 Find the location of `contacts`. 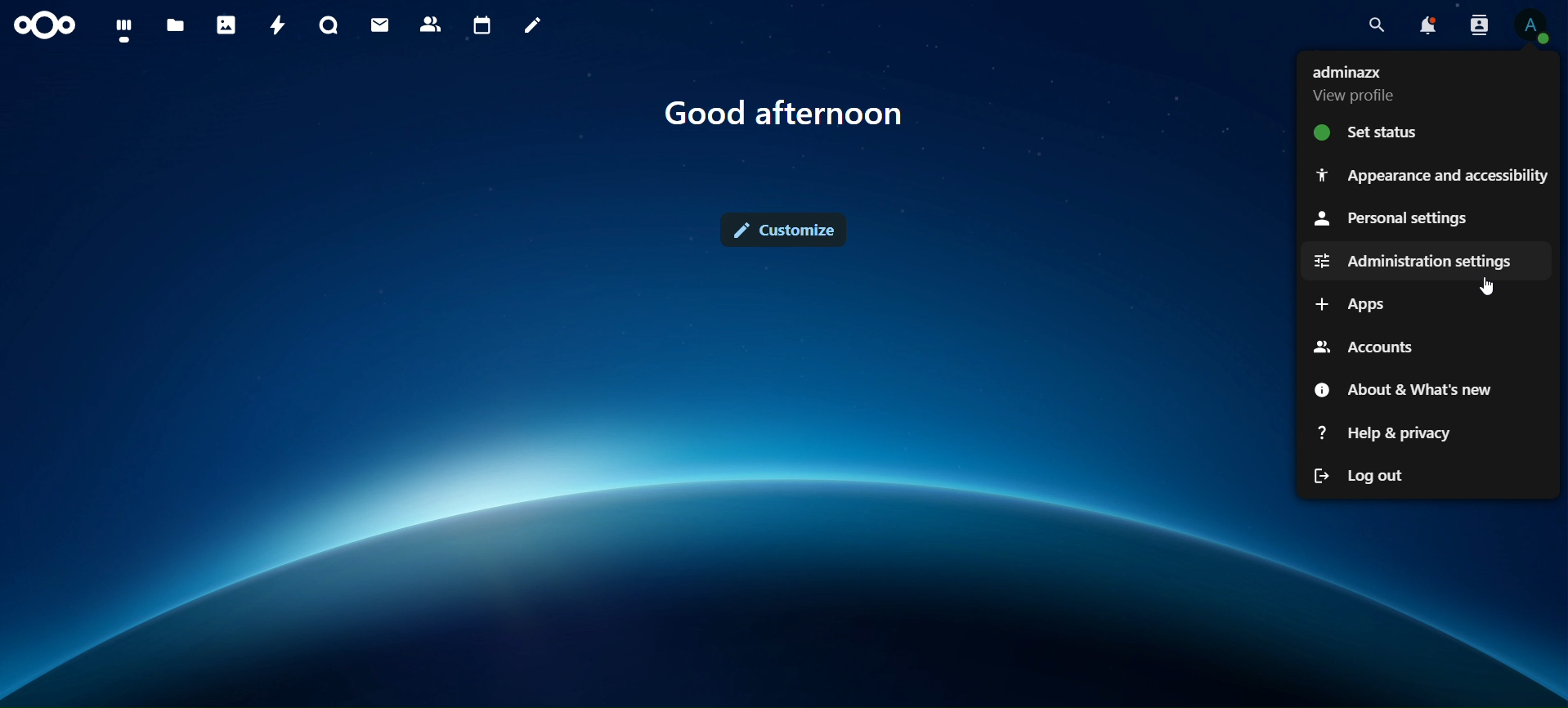

contacts is located at coordinates (431, 25).